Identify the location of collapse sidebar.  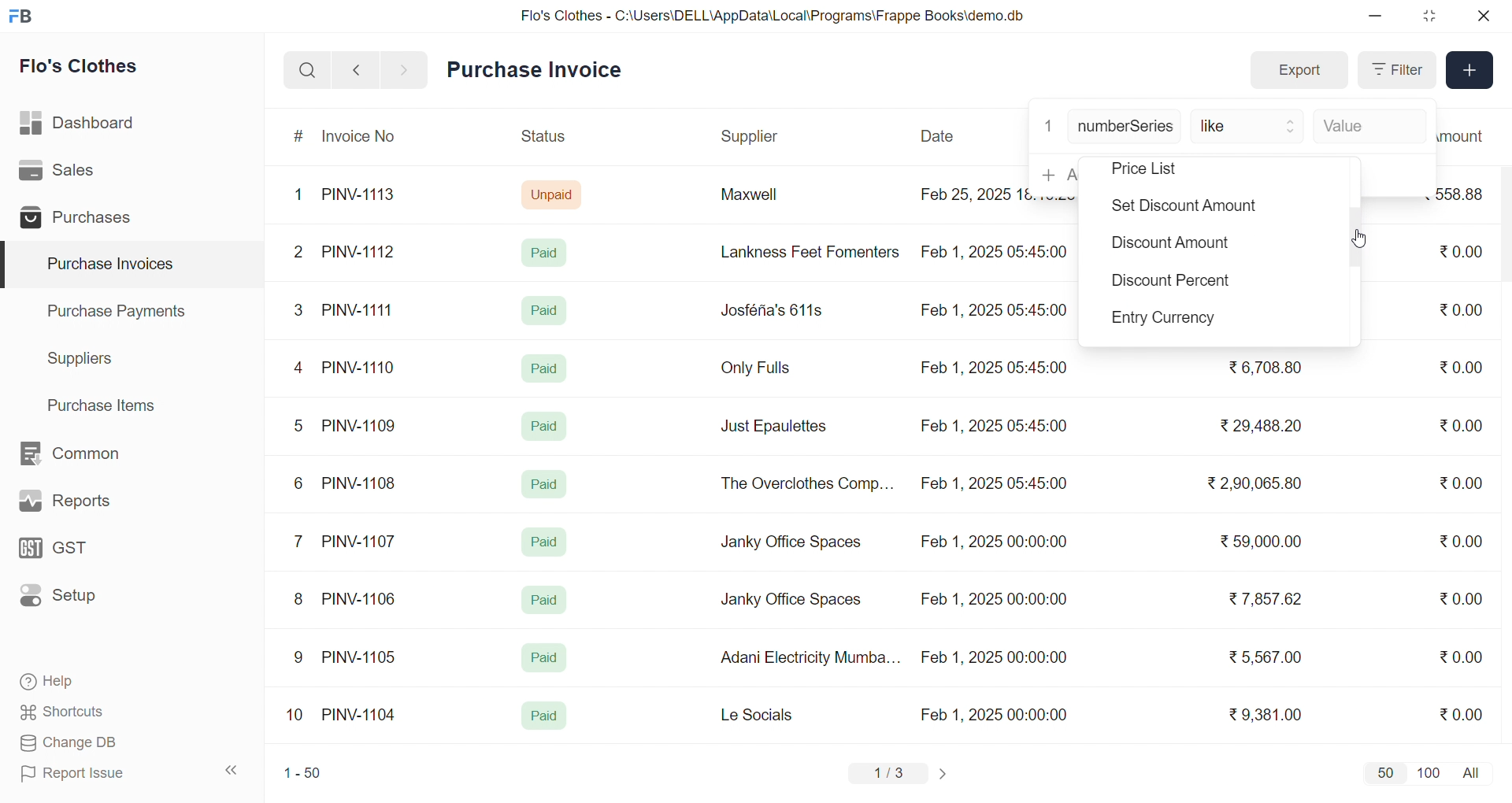
(232, 771).